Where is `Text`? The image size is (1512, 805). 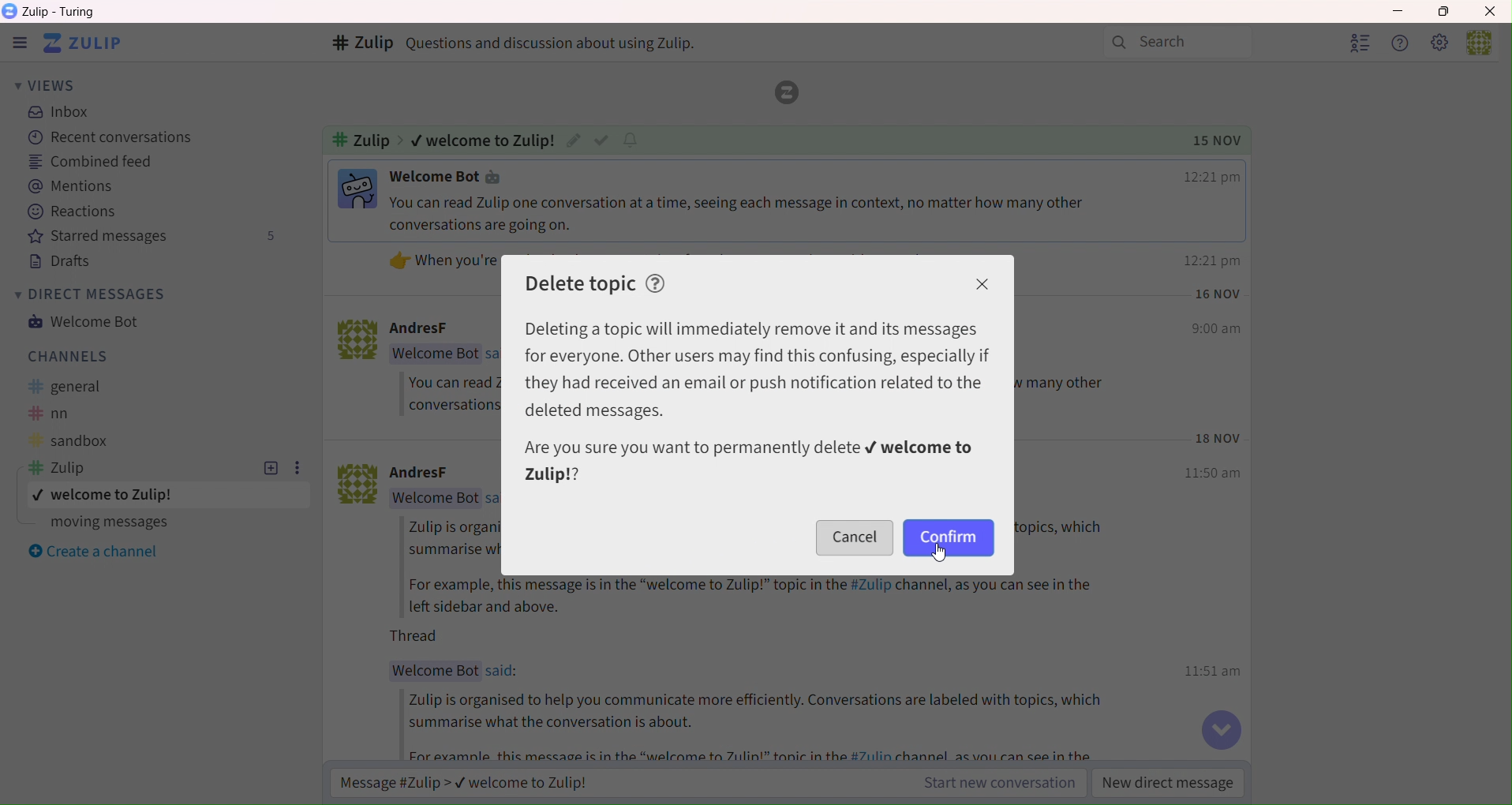 Text is located at coordinates (69, 413).